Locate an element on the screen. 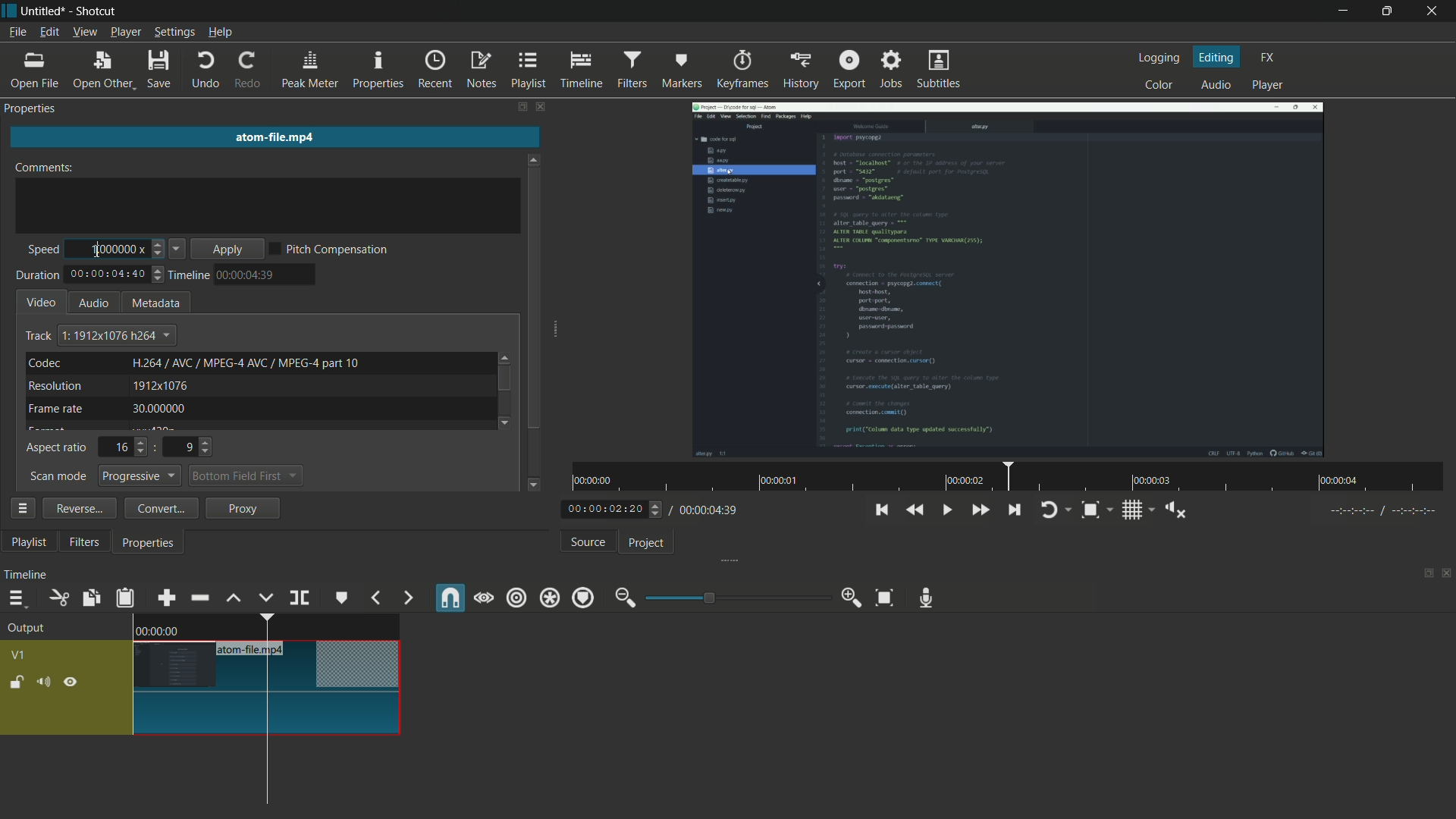  timeline is located at coordinates (187, 276).